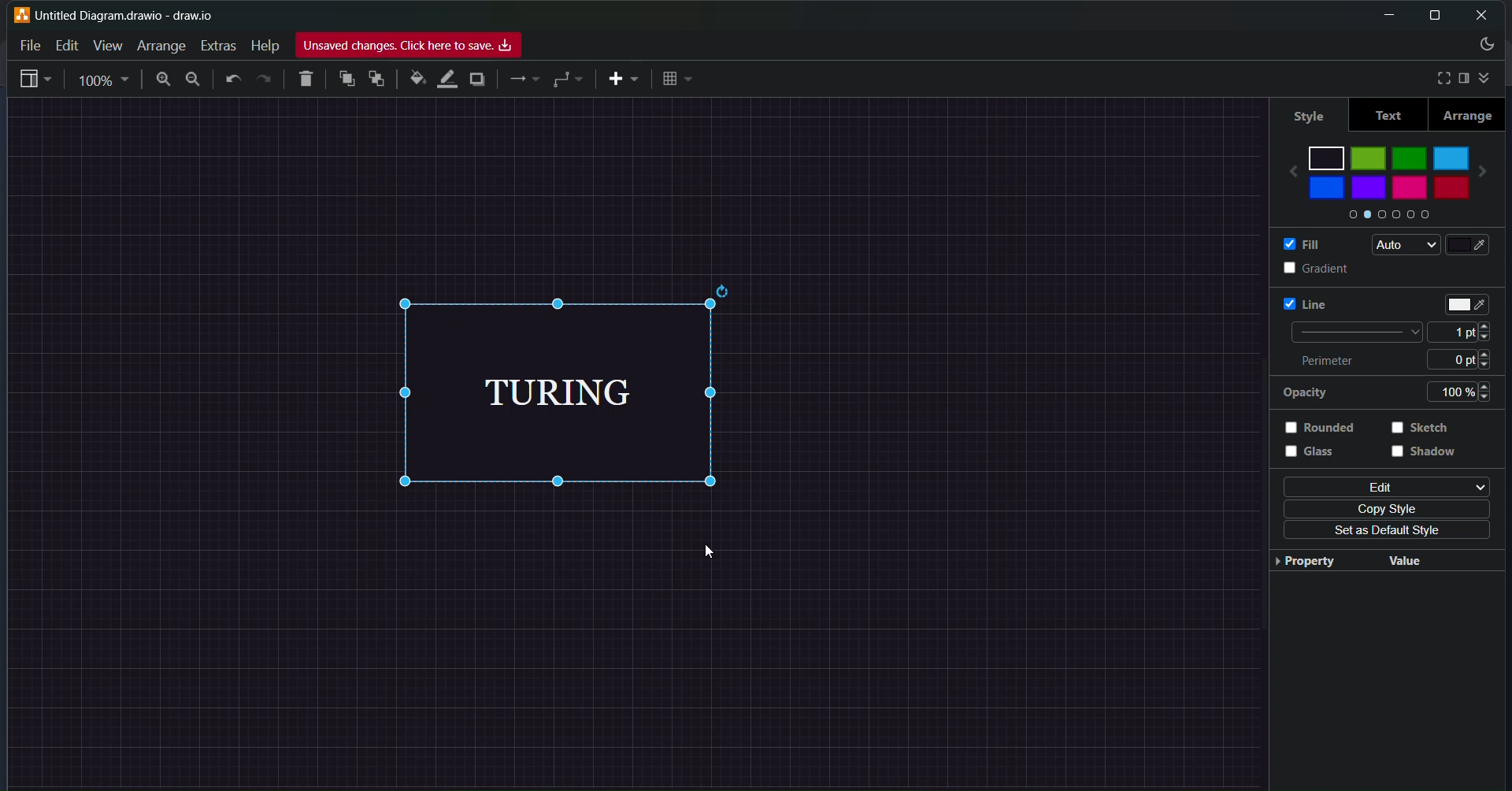  I want to click on Extras, so click(220, 43).